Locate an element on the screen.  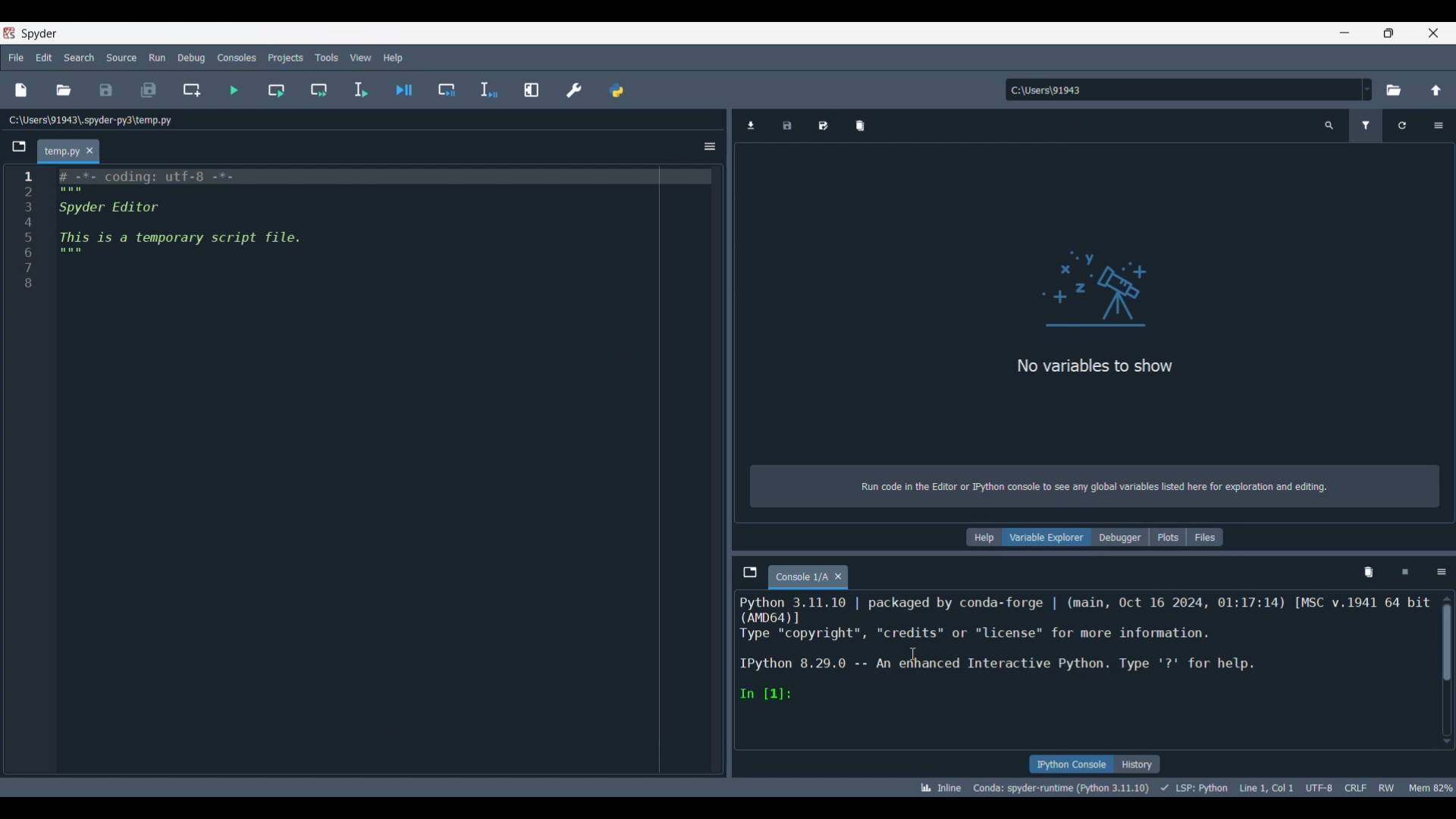
Save data as is located at coordinates (823, 126).